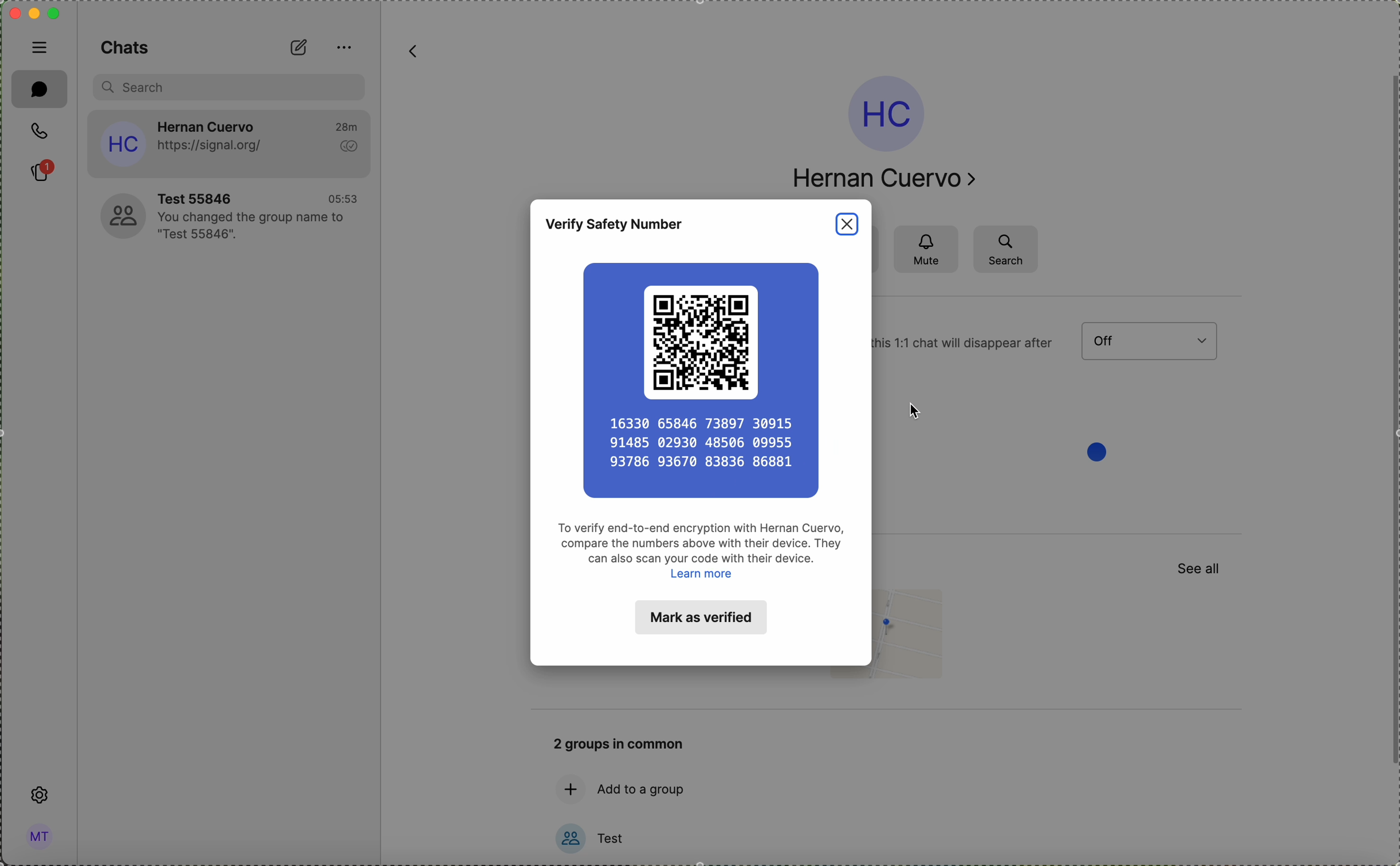 Image resolution: width=1400 pixels, height=866 pixels. What do you see at coordinates (122, 144) in the screenshot?
I see `profile icon` at bounding box center [122, 144].